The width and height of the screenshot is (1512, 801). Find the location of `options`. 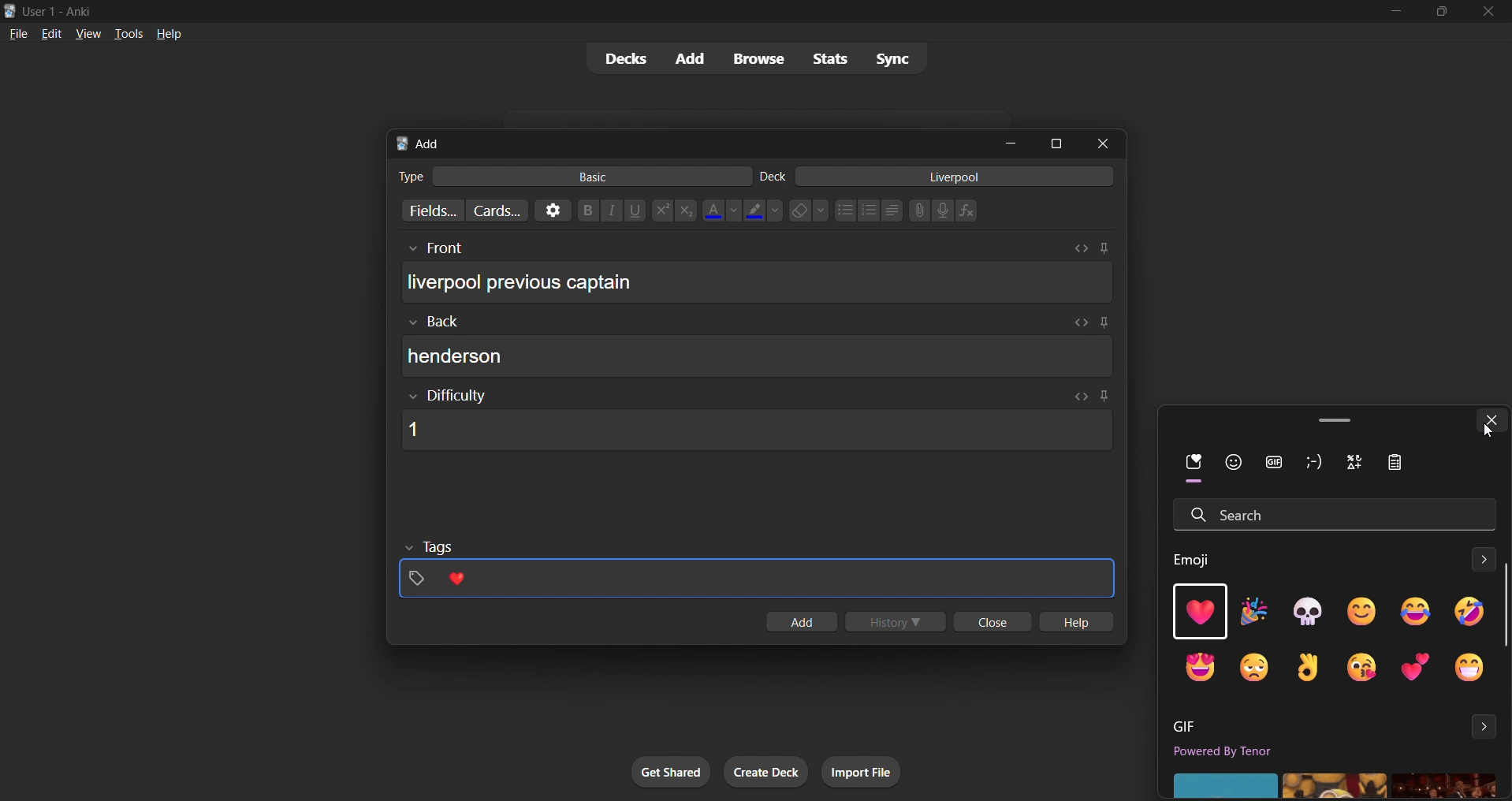

options is located at coordinates (550, 210).